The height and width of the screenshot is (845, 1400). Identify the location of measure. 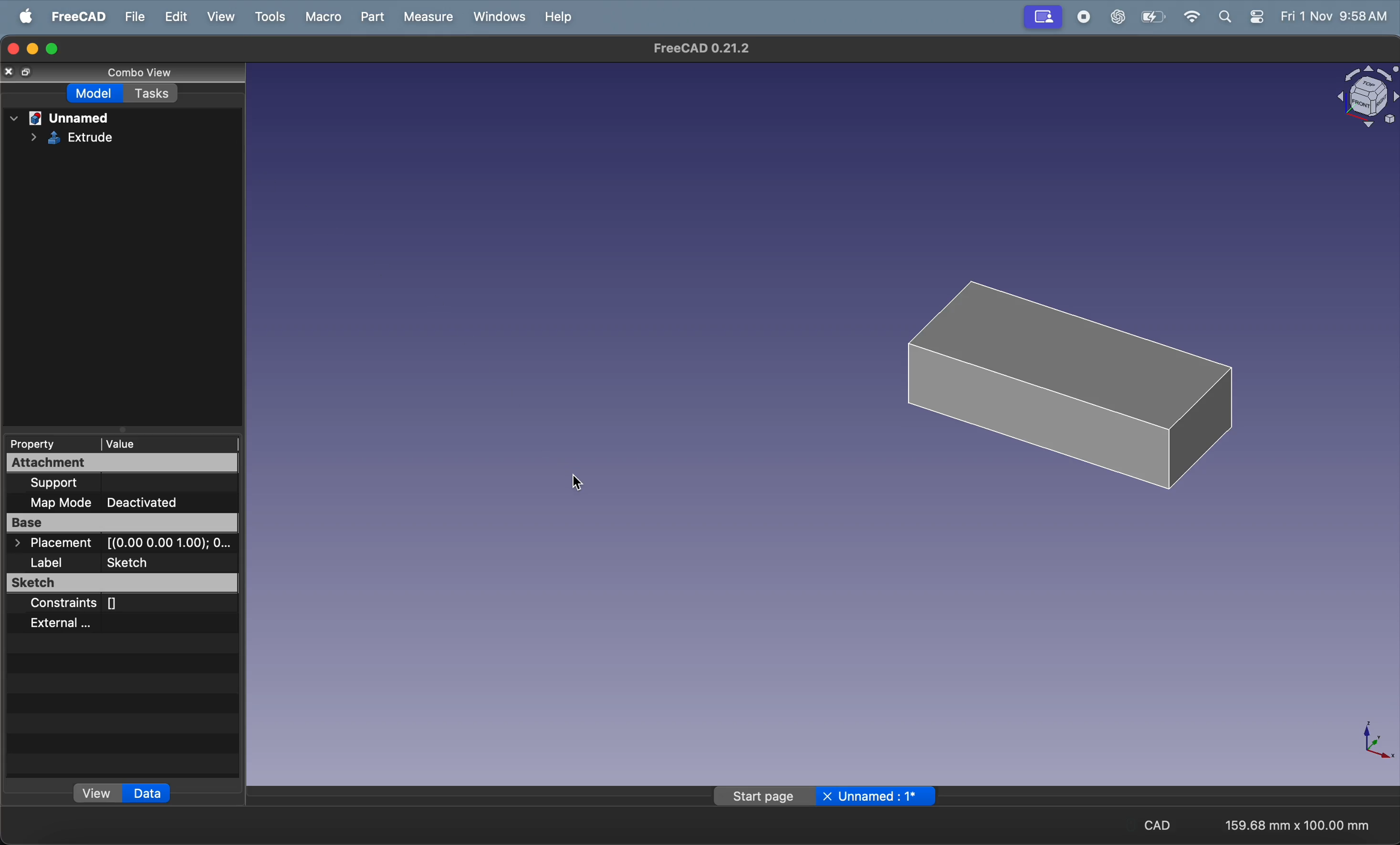
(427, 16).